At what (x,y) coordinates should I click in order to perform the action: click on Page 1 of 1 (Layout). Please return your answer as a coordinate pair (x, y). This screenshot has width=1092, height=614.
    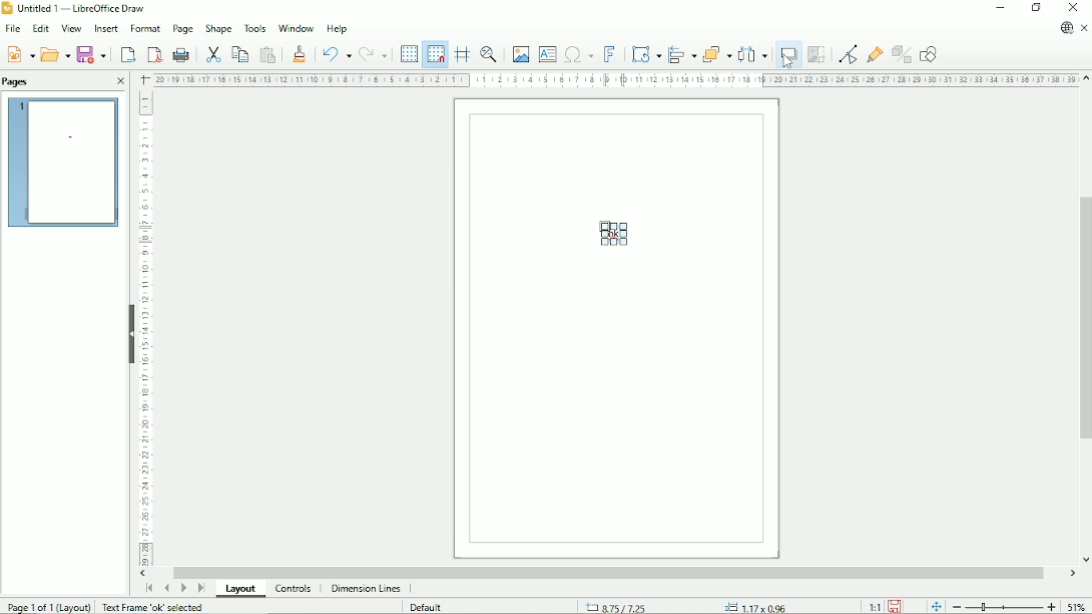
    Looking at the image, I should click on (47, 607).